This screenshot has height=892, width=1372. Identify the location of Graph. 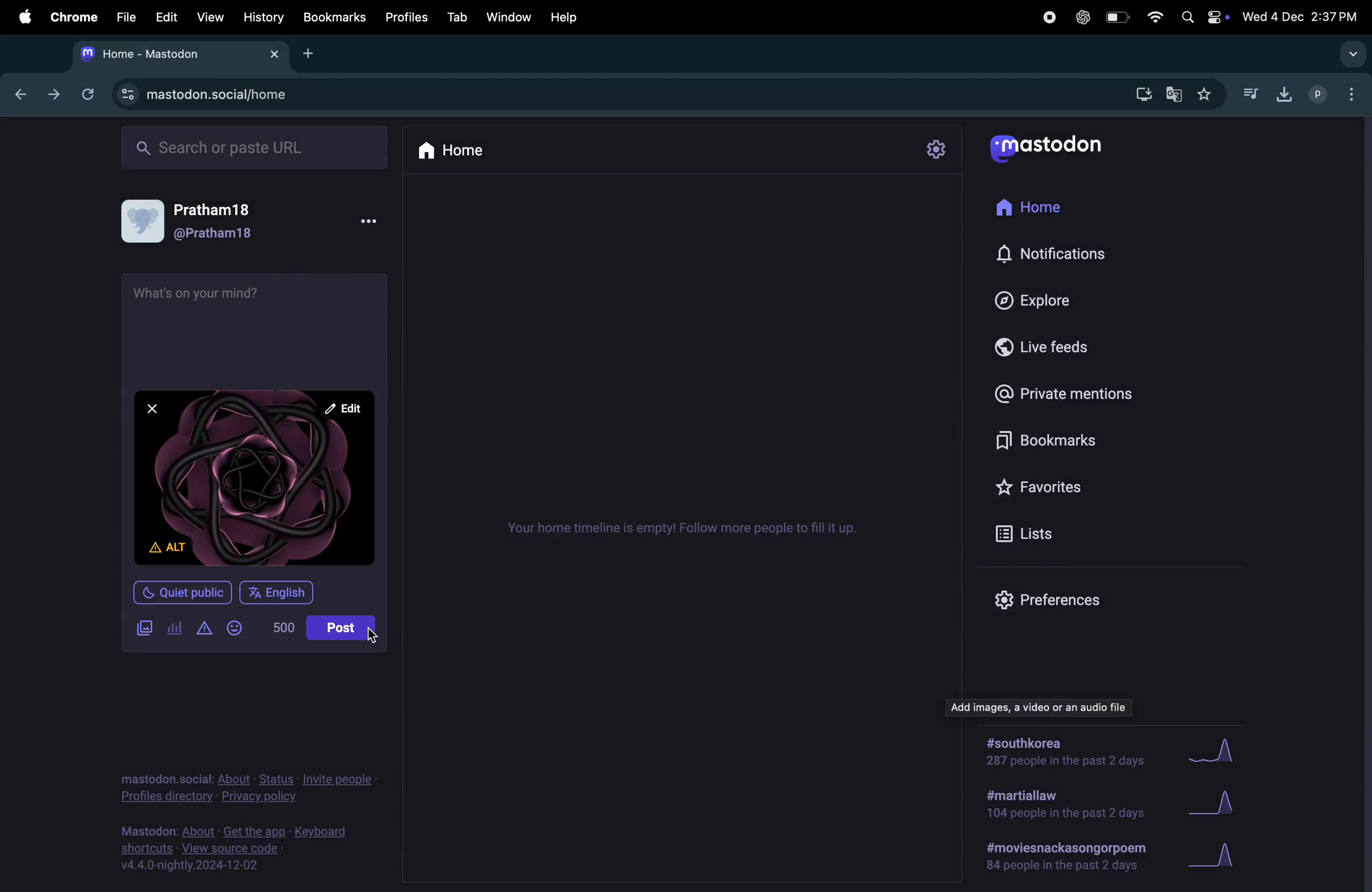
(1217, 856).